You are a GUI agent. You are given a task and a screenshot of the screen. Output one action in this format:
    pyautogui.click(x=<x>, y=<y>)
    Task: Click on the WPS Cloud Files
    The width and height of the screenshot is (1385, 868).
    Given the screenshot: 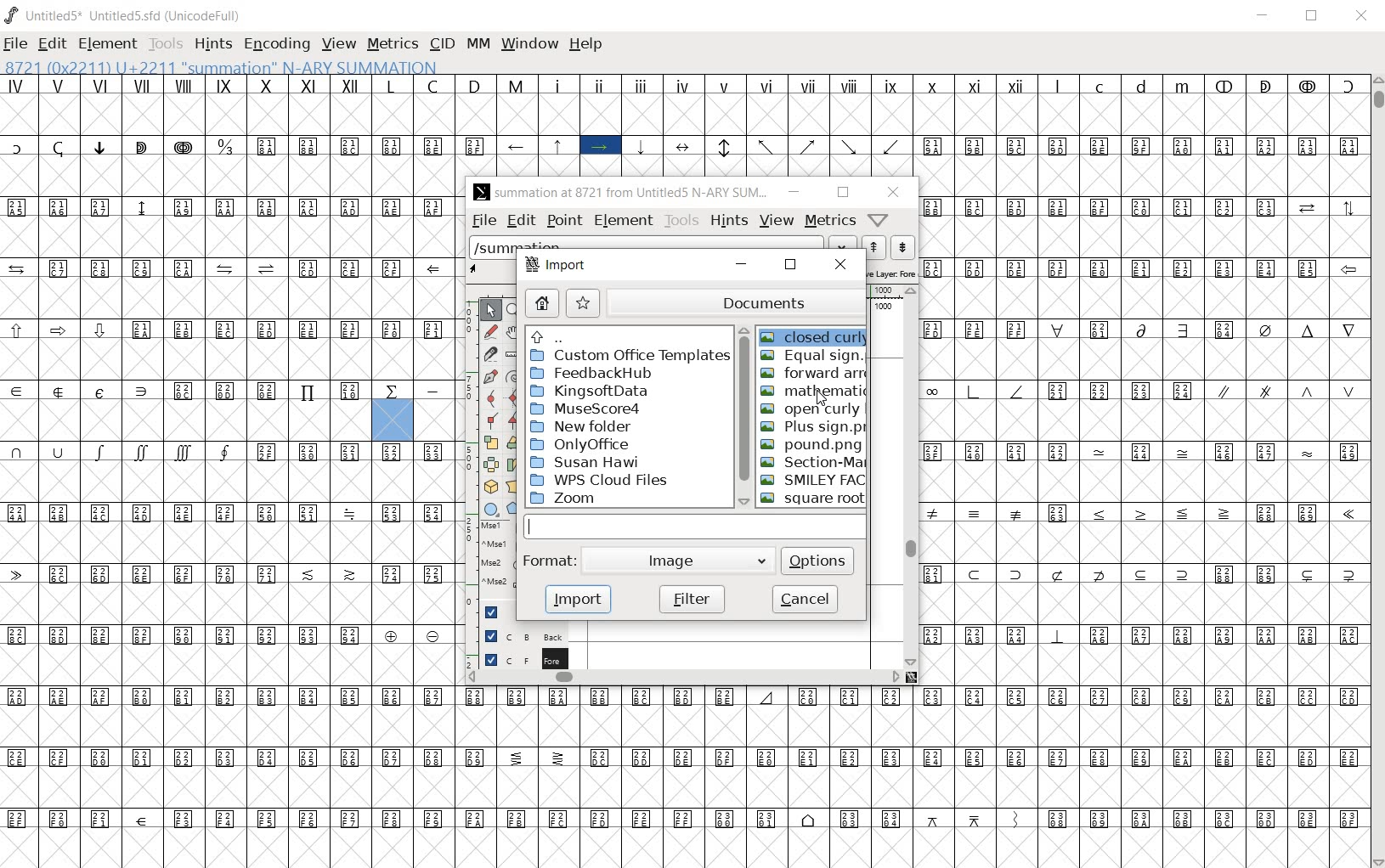 What is the action you would take?
    pyautogui.click(x=601, y=480)
    